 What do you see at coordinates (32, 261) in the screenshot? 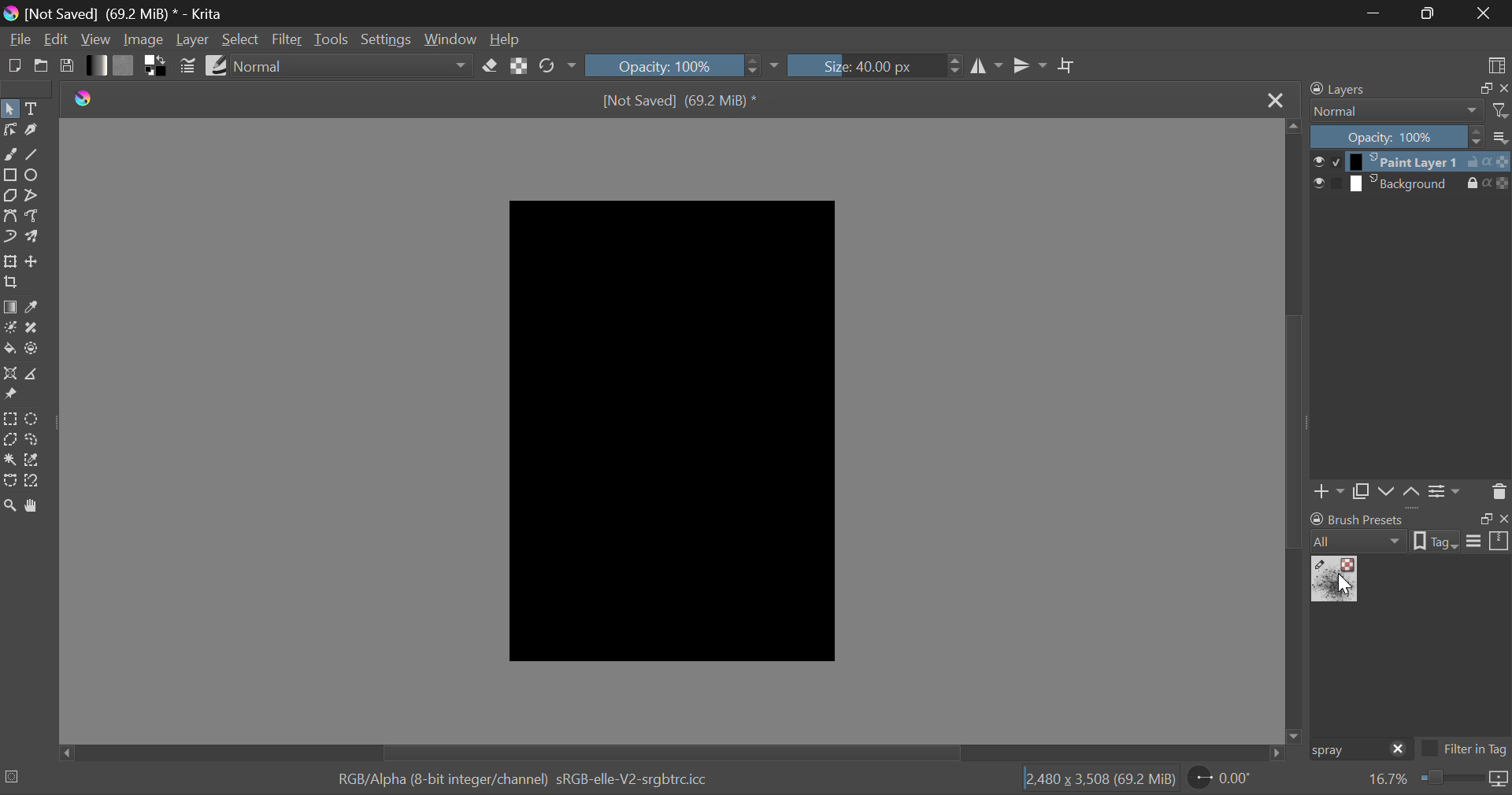
I see `Move Layer` at bounding box center [32, 261].